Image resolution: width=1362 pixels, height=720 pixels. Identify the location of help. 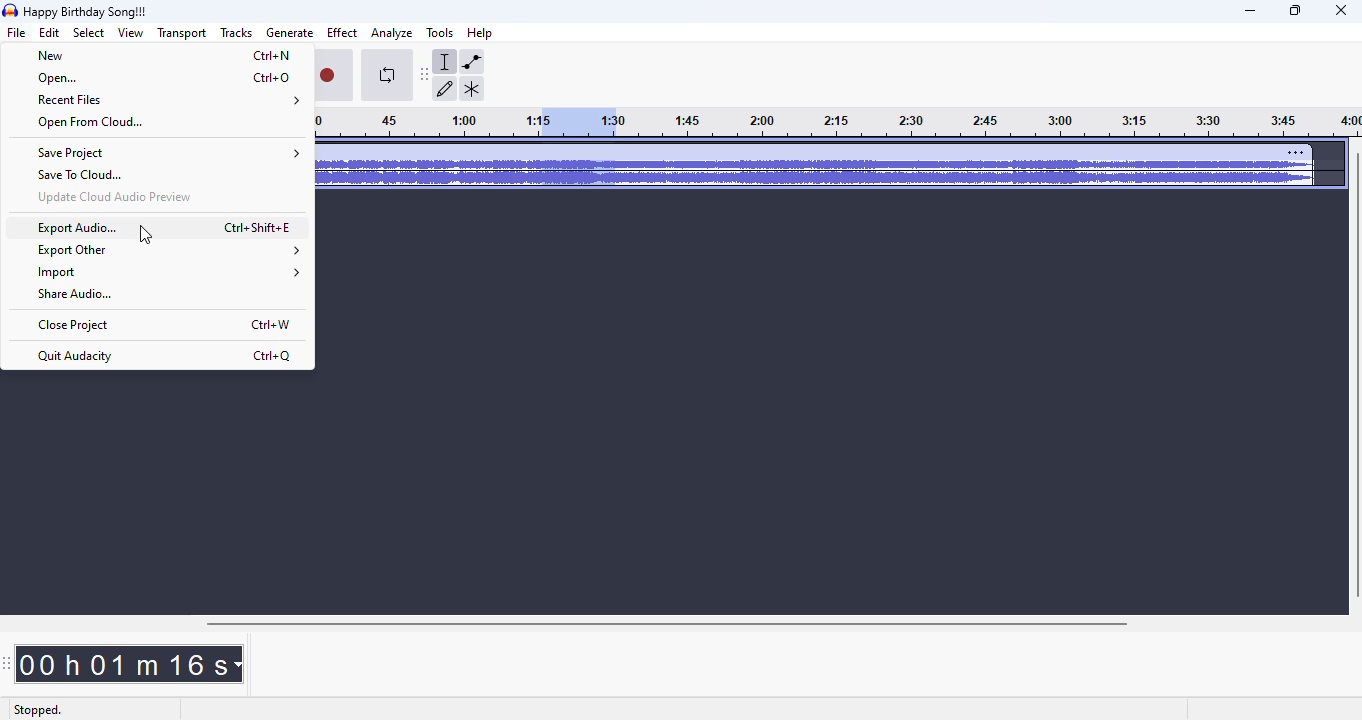
(481, 32).